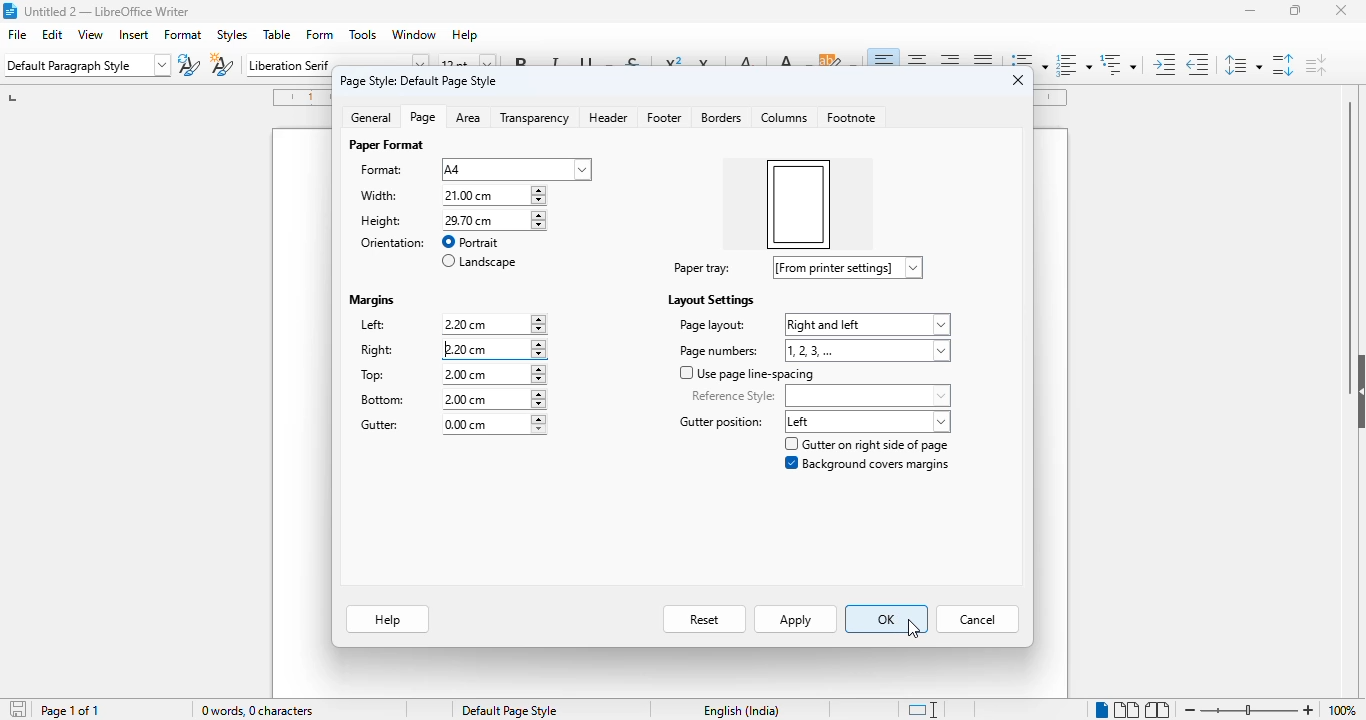 The image size is (1366, 720). I want to click on zoom in or zoom out bar, so click(1248, 711).